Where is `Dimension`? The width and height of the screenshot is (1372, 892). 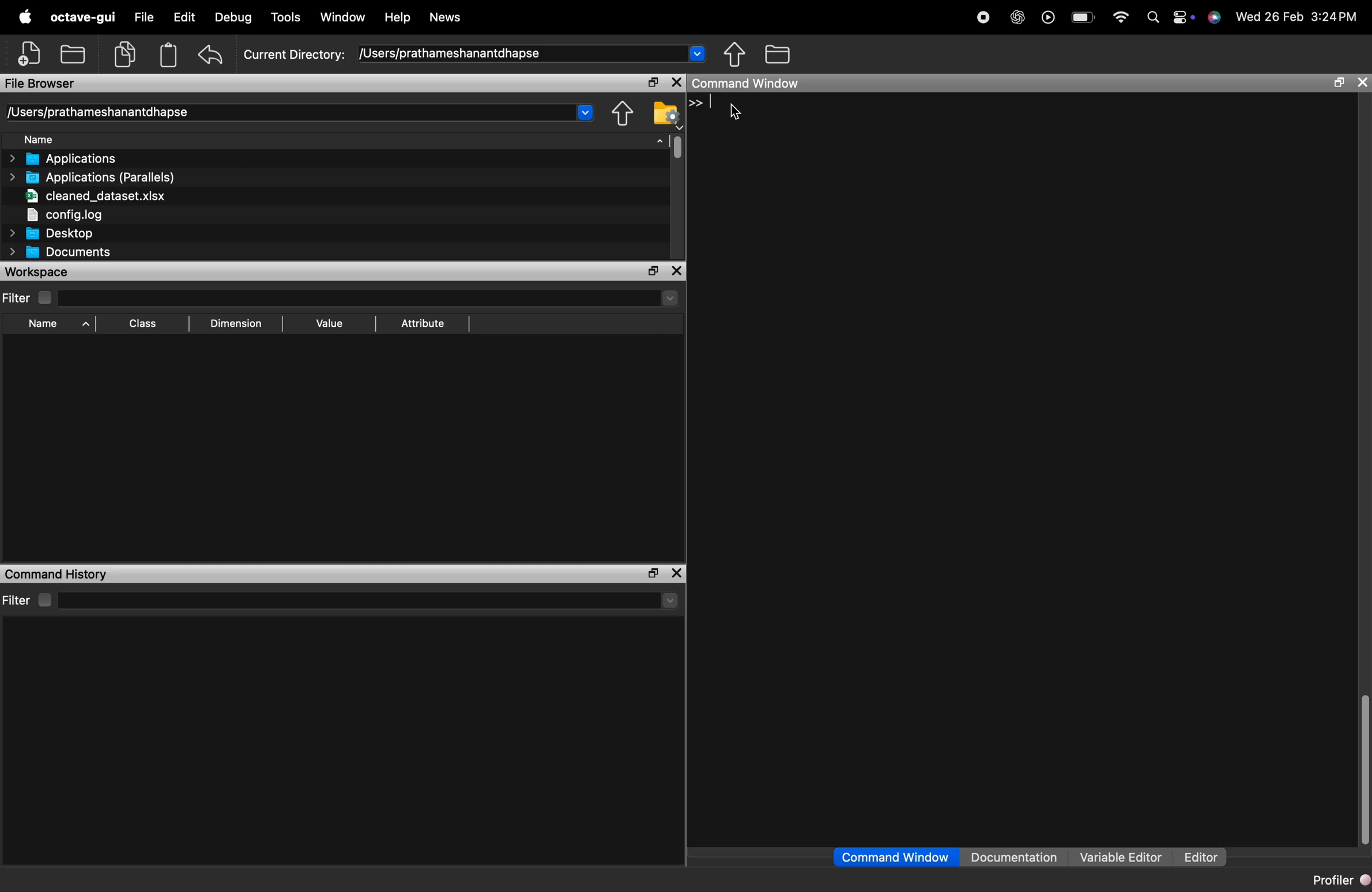
Dimension is located at coordinates (233, 323).